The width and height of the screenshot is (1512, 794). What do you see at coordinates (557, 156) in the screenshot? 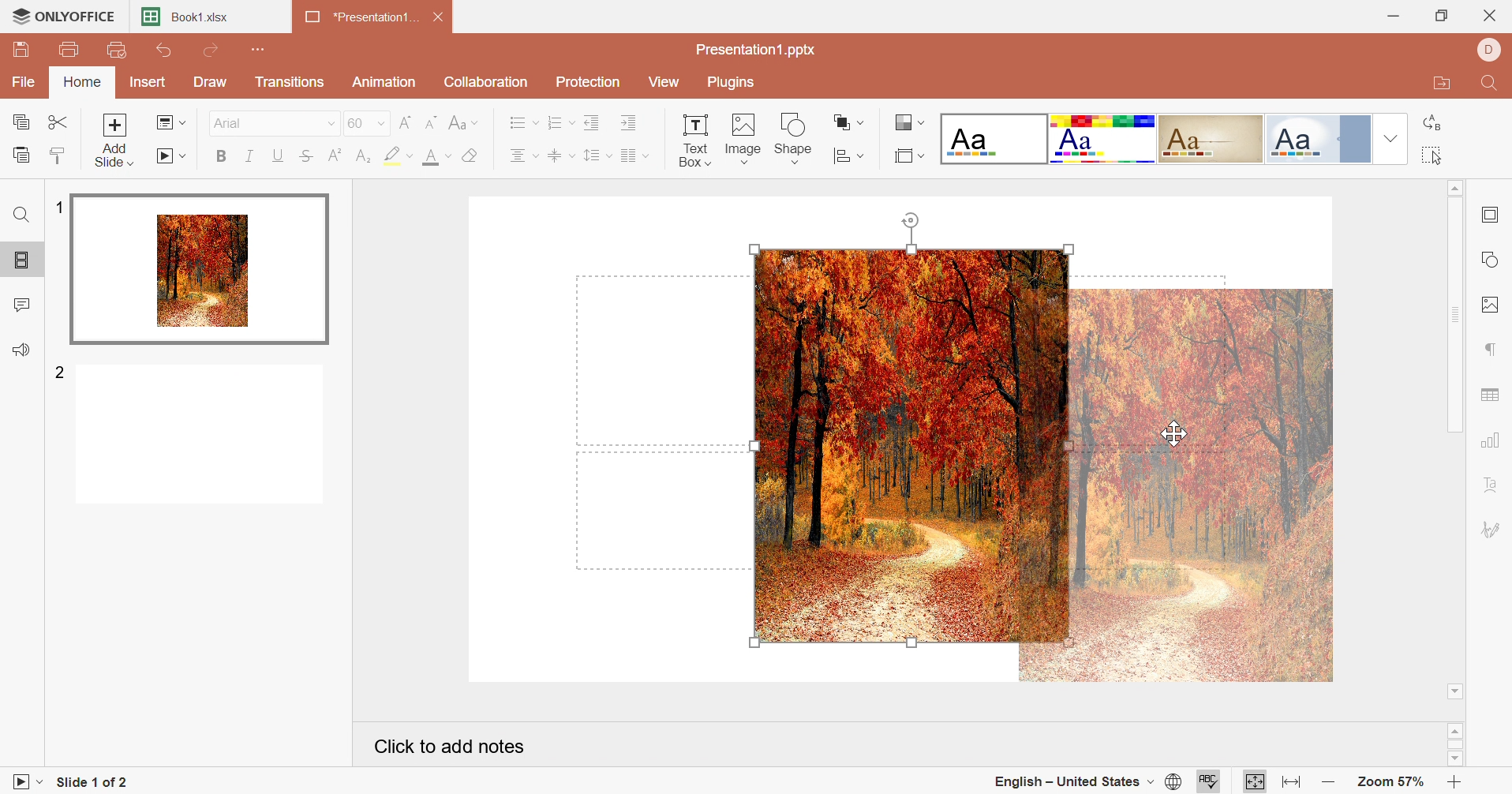
I see `Vertical align` at bounding box center [557, 156].